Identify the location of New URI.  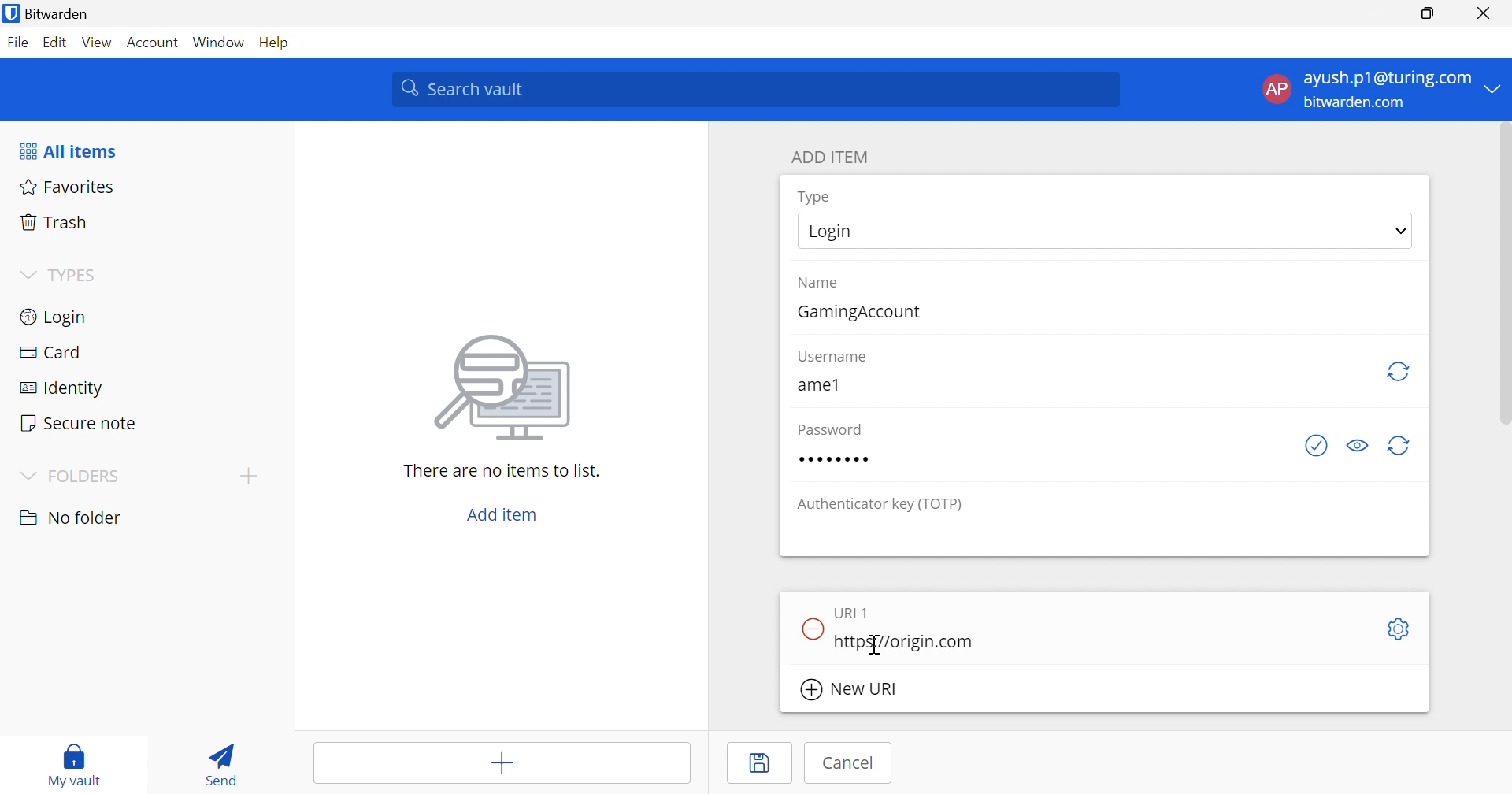
(848, 689).